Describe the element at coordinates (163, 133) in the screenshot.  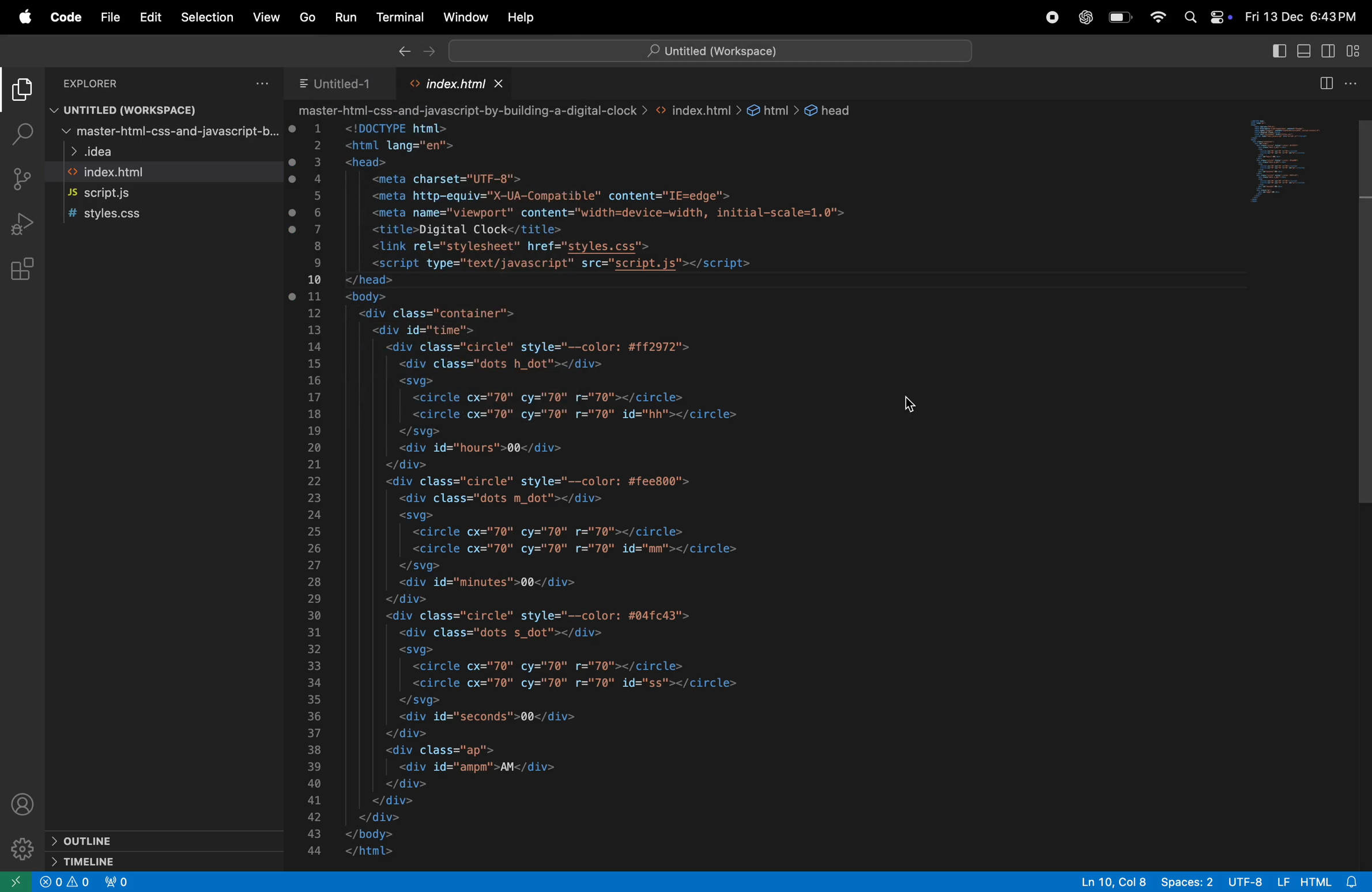
I see `master -css htm java script` at that location.